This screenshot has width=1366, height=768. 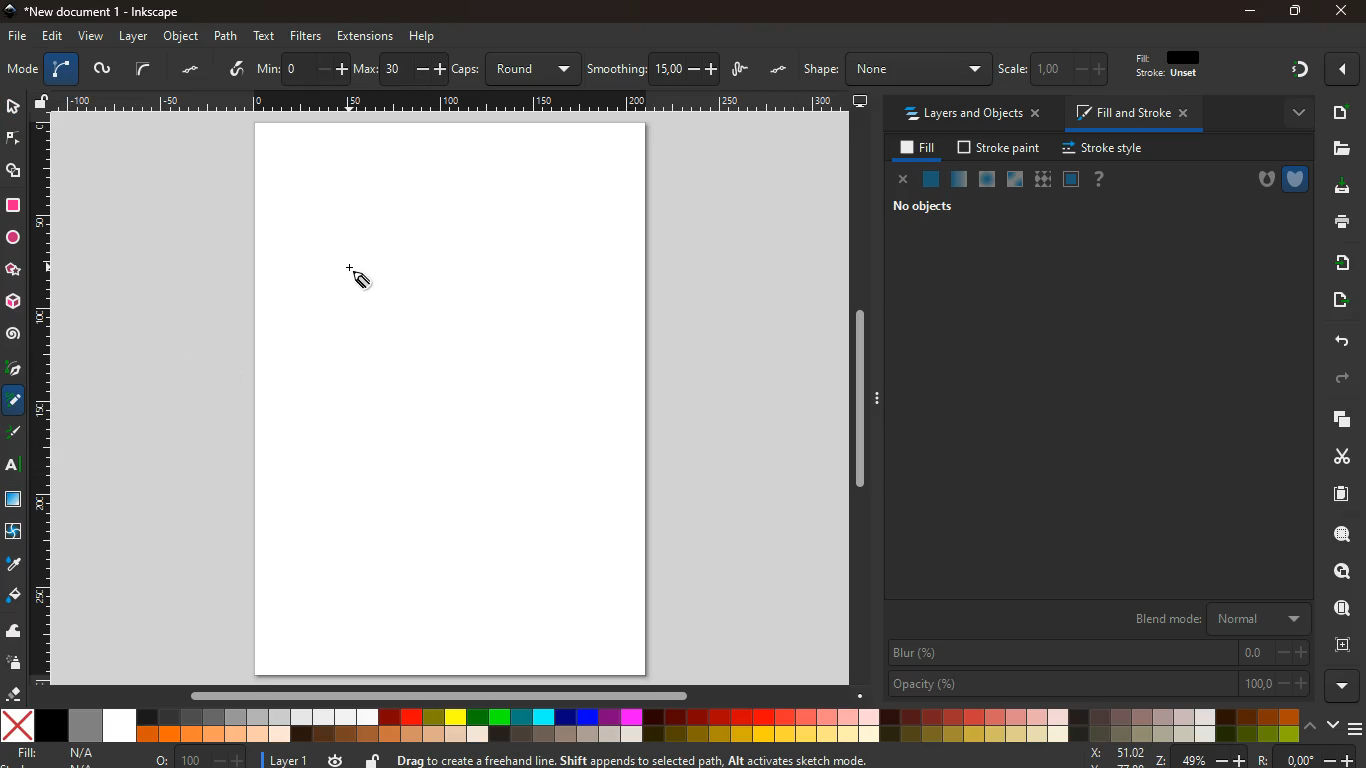 What do you see at coordinates (784, 67) in the screenshot?
I see `unlock` at bounding box center [784, 67].